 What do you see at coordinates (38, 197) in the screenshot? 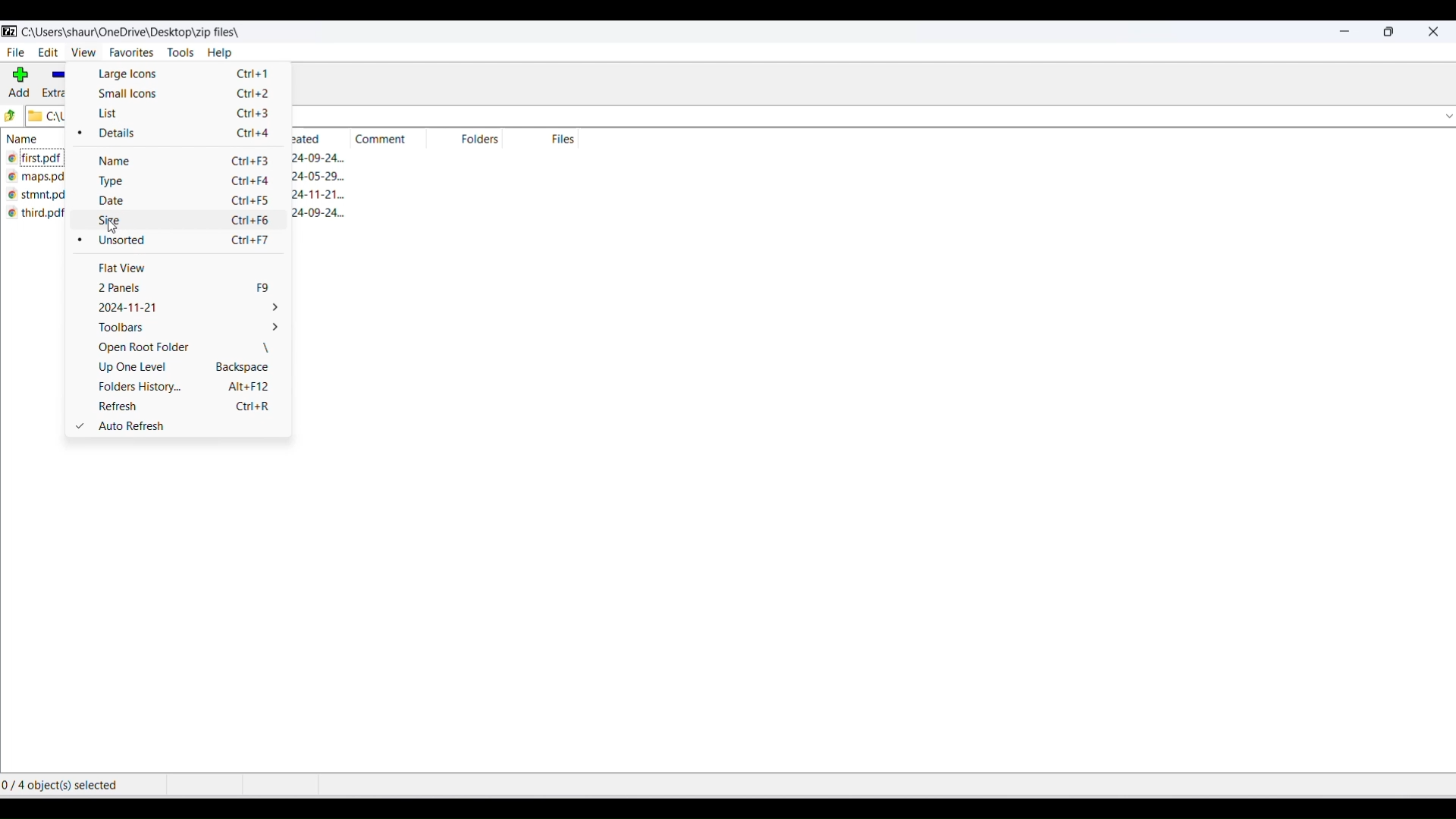
I see `file name` at bounding box center [38, 197].